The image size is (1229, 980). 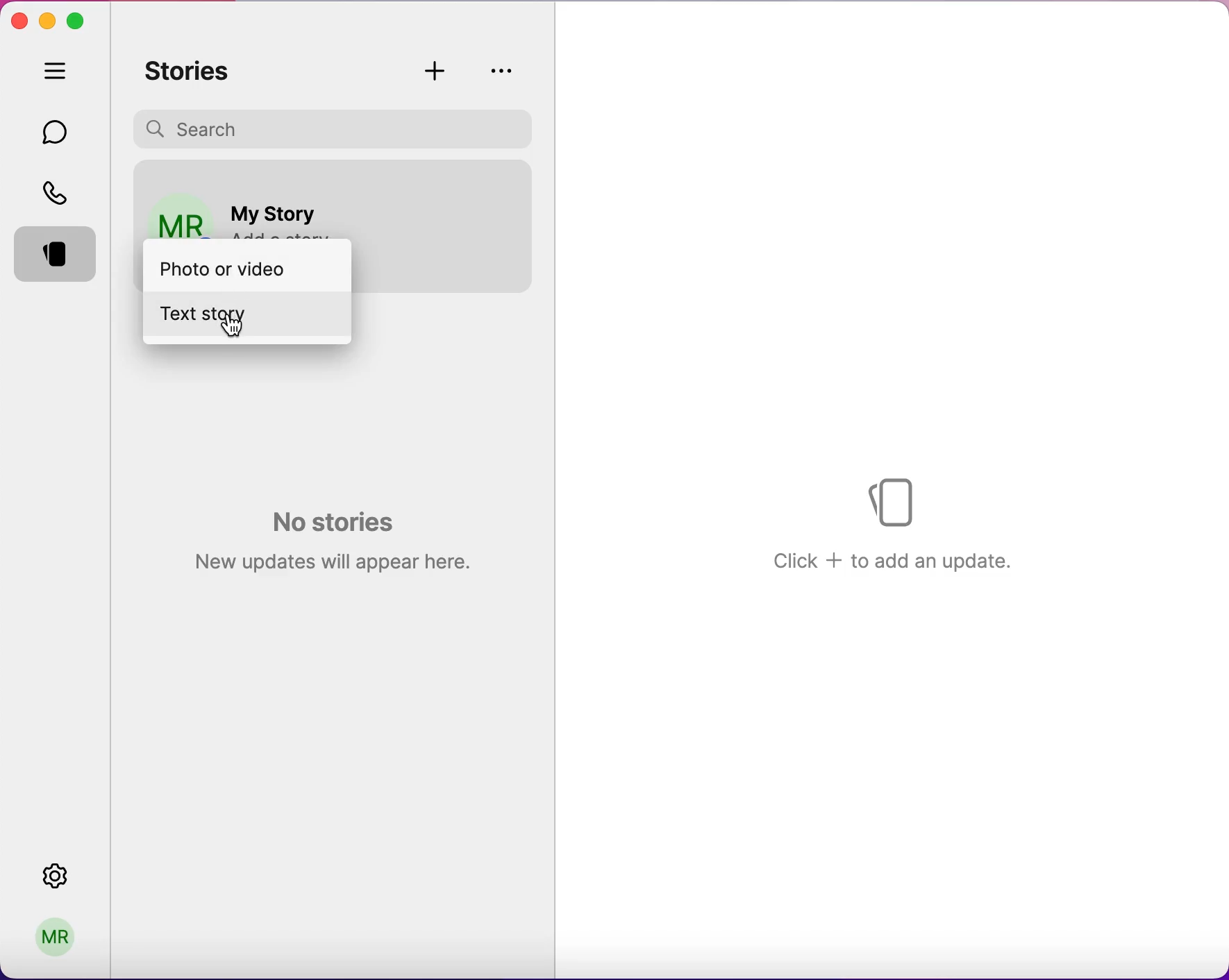 What do you see at coordinates (176, 208) in the screenshot?
I see `profile picture` at bounding box center [176, 208].